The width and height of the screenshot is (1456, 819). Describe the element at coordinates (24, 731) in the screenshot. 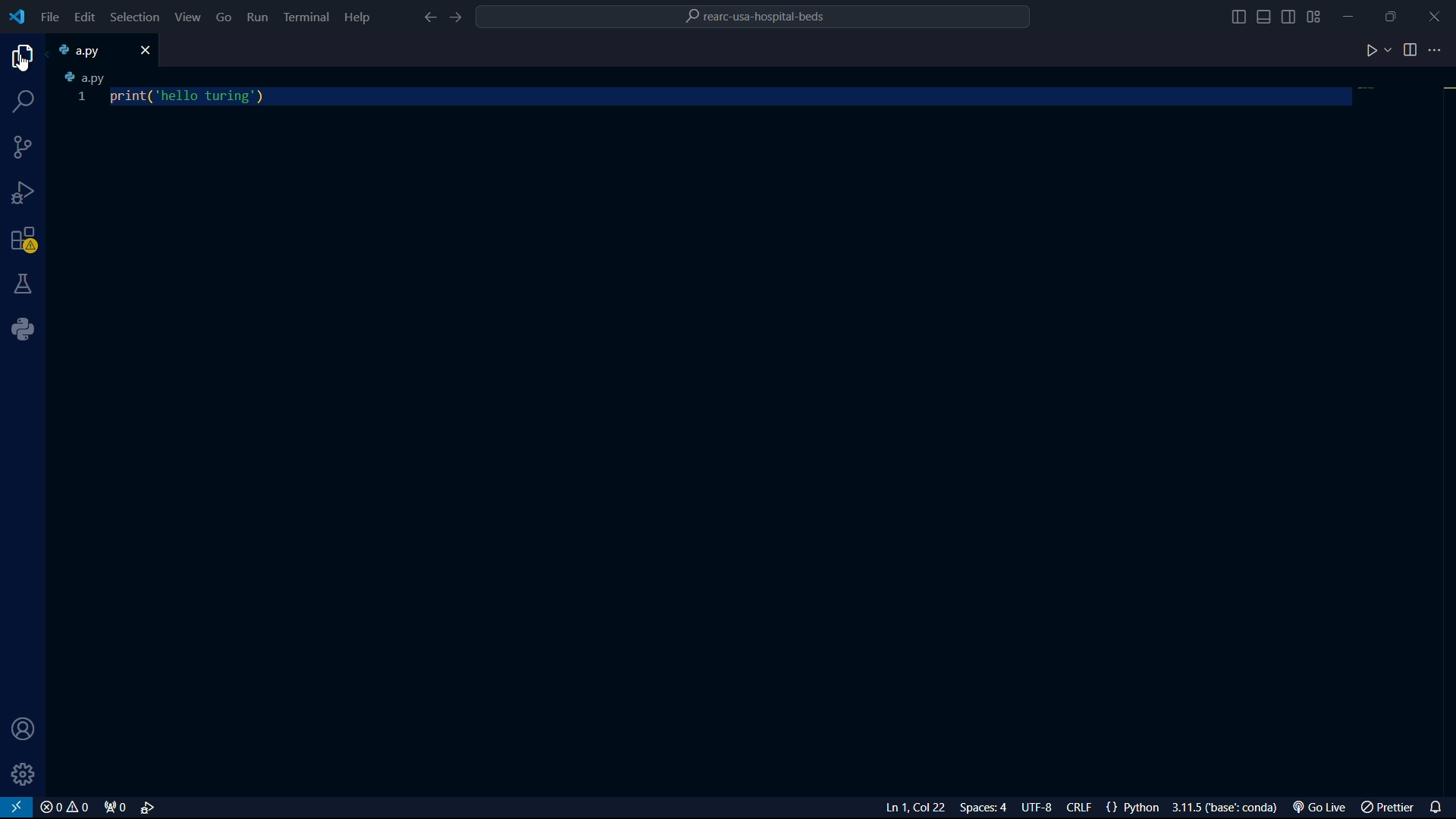

I see `account` at that location.